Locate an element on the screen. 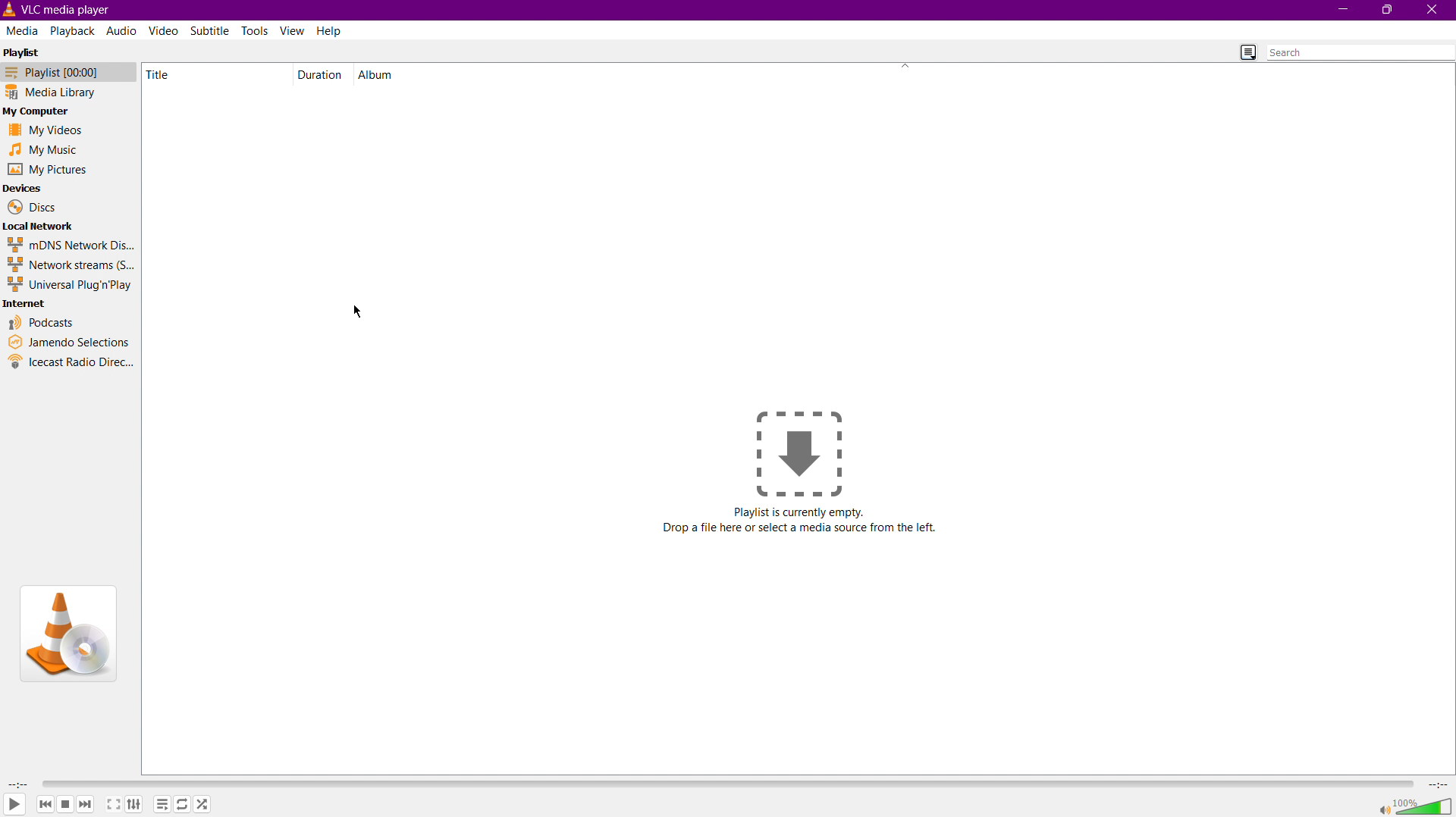  Help is located at coordinates (331, 30).